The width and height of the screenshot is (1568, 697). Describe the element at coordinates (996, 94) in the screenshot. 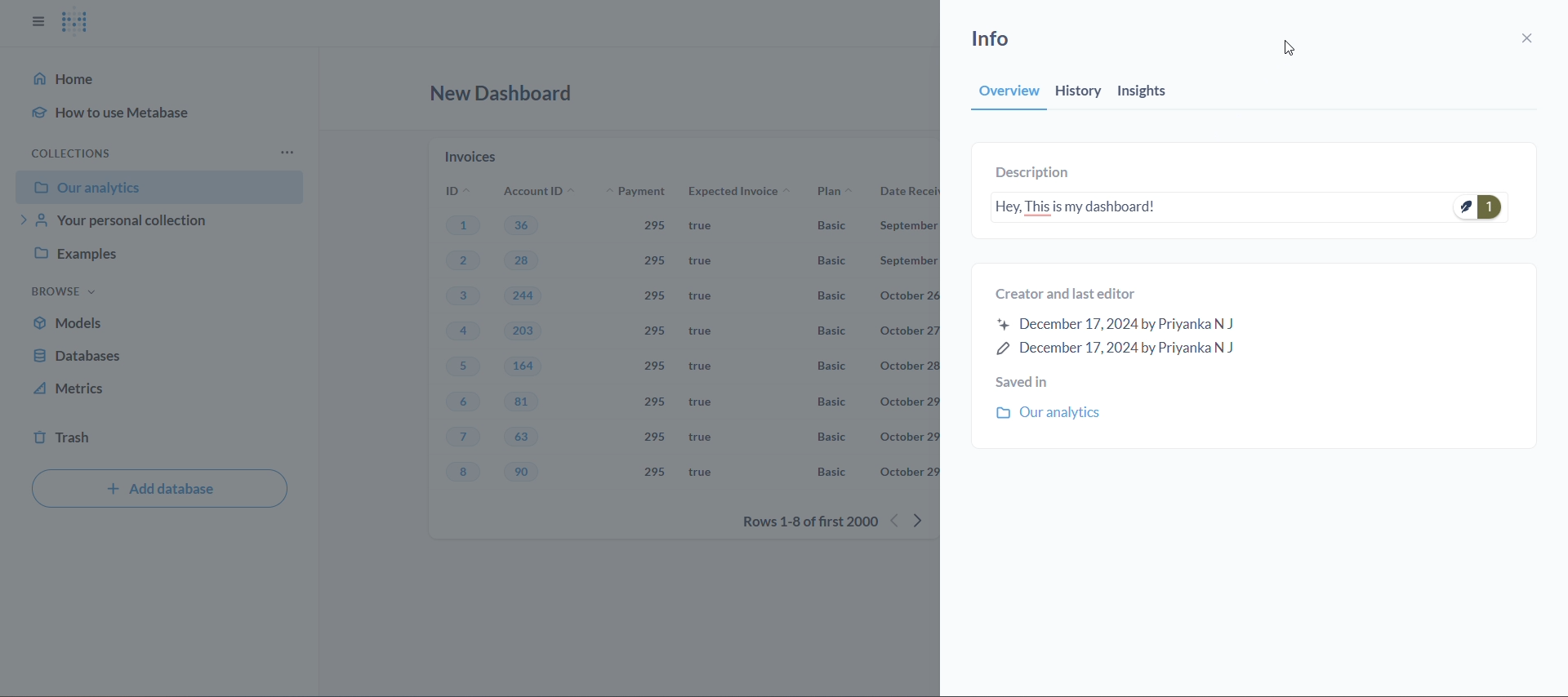

I see `overview` at that location.